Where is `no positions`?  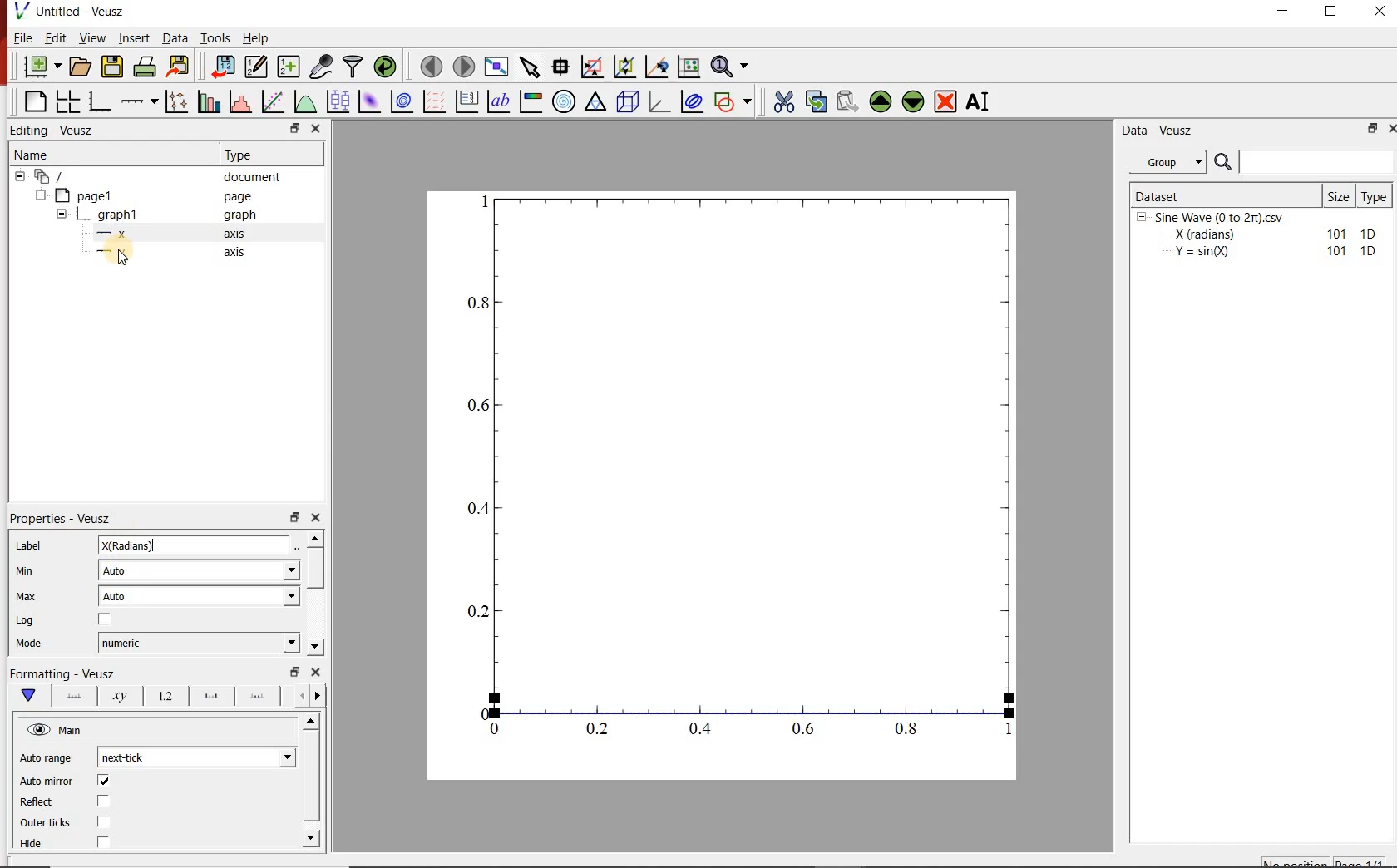
no positions is located at coordinates (1325, 861).